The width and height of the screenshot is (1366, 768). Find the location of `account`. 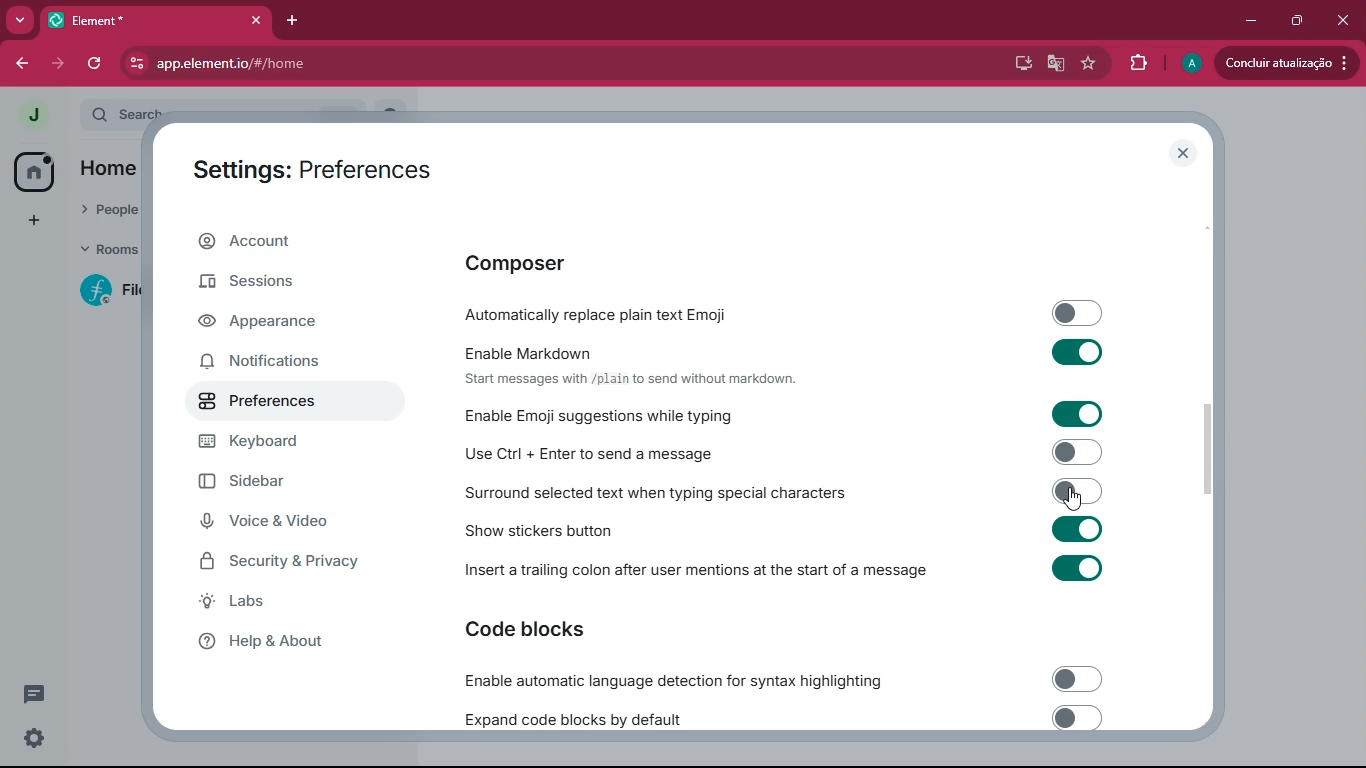

account is located at coordinates (286, 238).